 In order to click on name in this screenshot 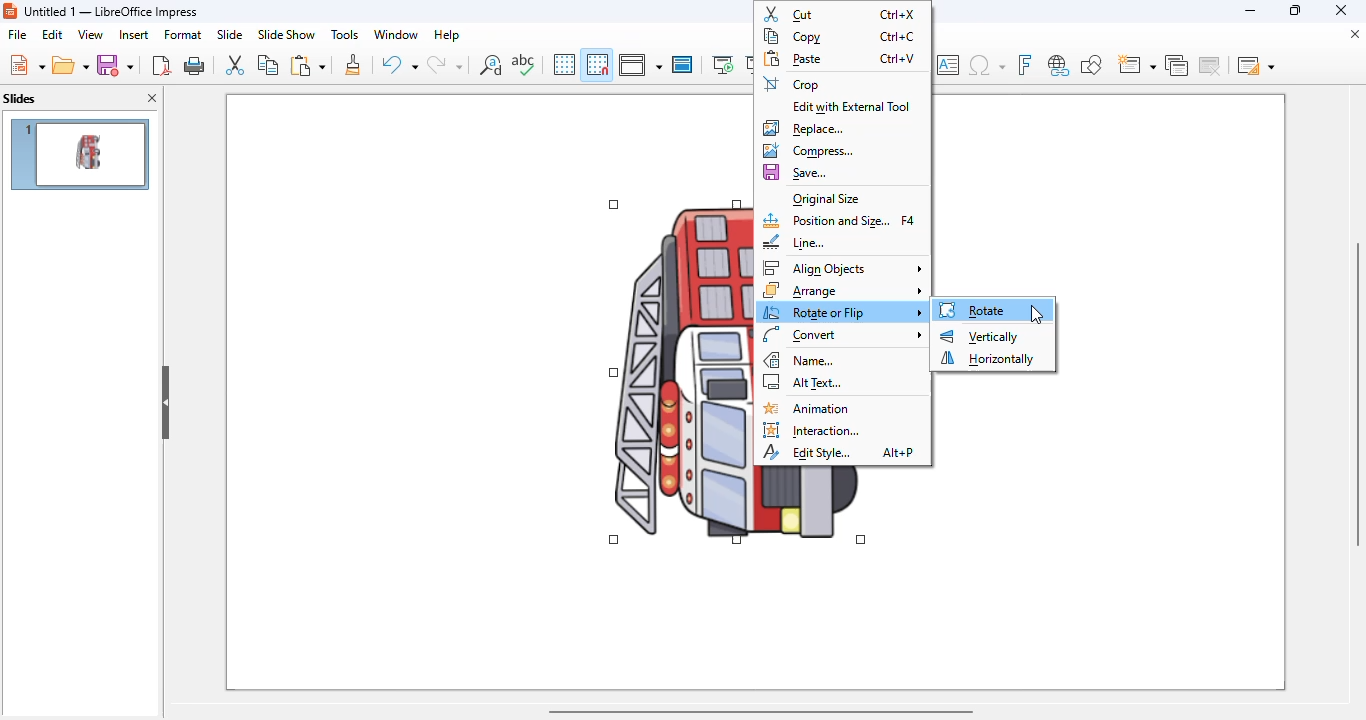, I will do `click(801, 359)`.